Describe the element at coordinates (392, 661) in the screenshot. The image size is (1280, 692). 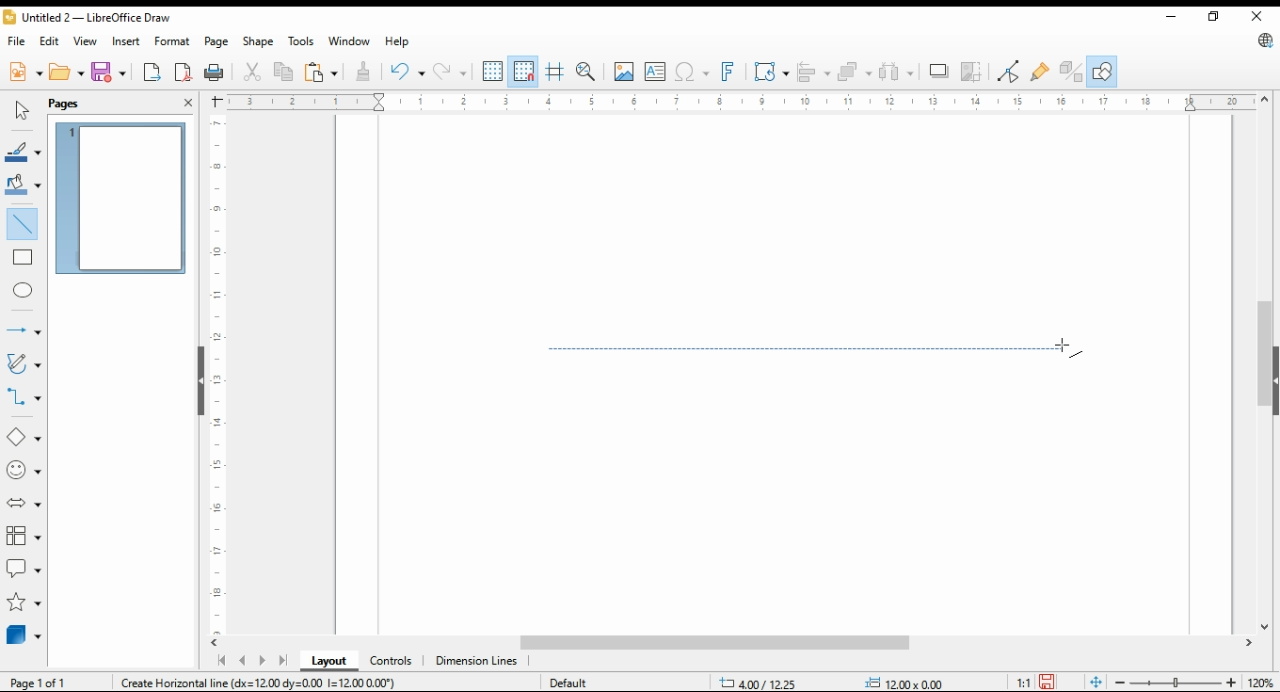
I see `ontrols` at that location.